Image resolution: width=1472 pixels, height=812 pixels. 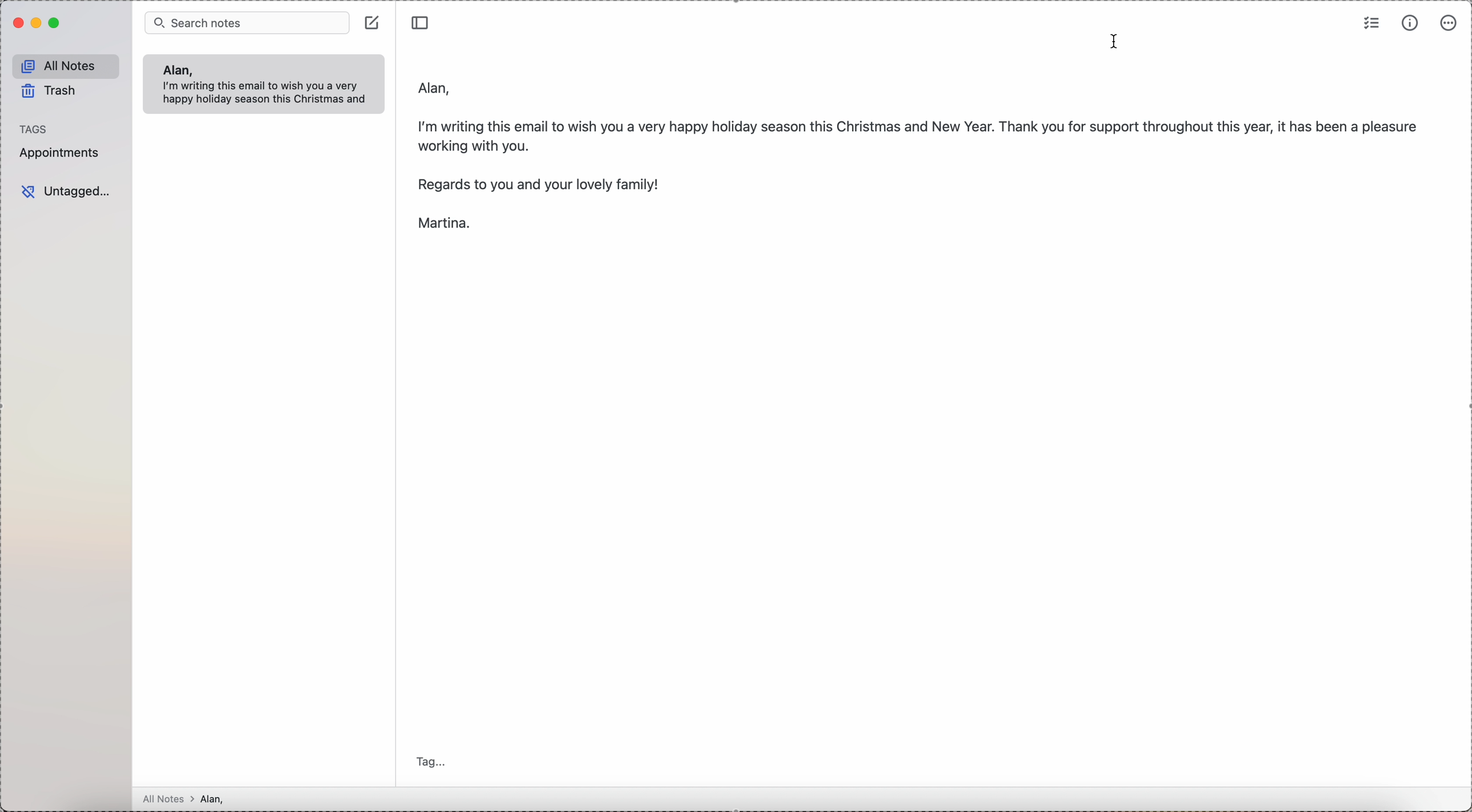 What do you see at coordinates (177, 70) in the screenshot?
I see `Alan,` at bounding box center [177, 70].